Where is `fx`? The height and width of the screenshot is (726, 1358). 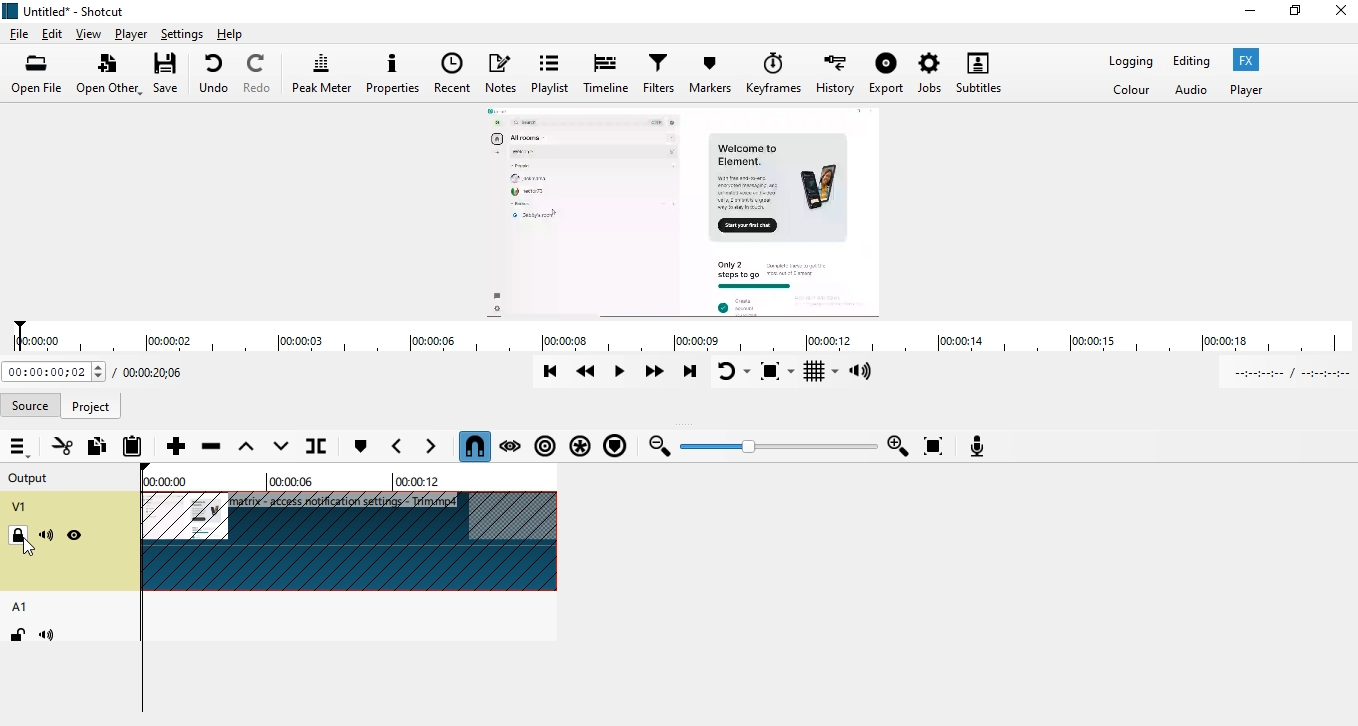 fx is located at coordinates (1251, 61).